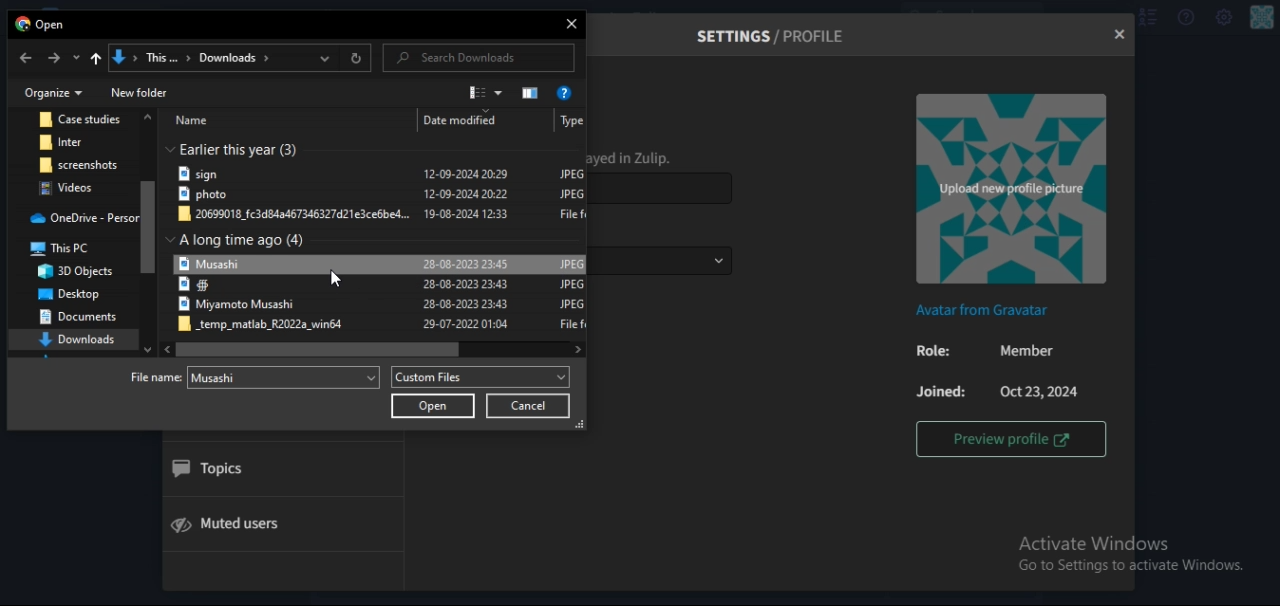 The height and width of the screenshot is (606, 1280). What do you see at coordinates (1224, 19) in the screenshot?
I see `main menu` at bounding box center [1224, 19].